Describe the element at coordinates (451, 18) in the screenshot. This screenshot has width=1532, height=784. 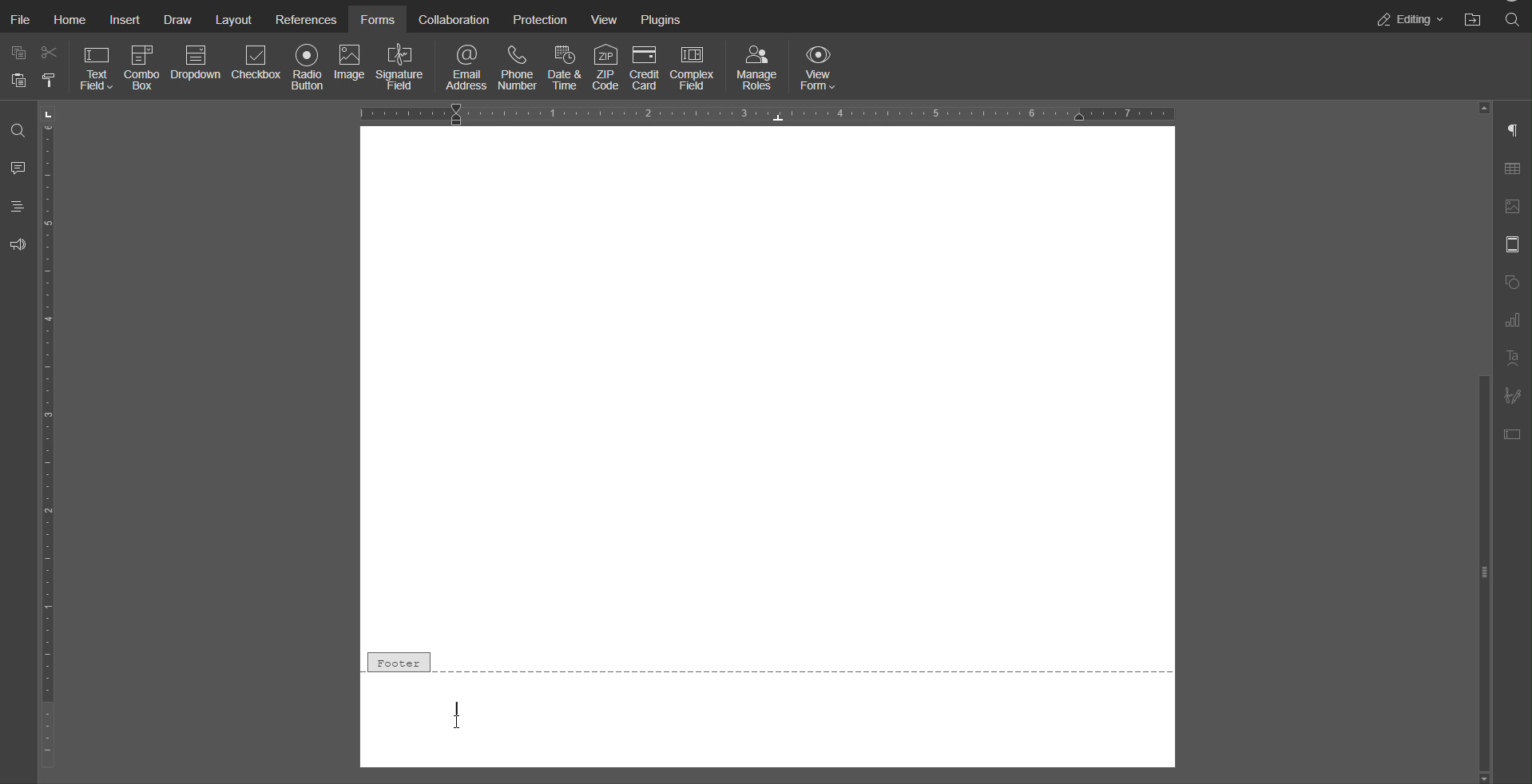
I see `Collaboration` at that location.